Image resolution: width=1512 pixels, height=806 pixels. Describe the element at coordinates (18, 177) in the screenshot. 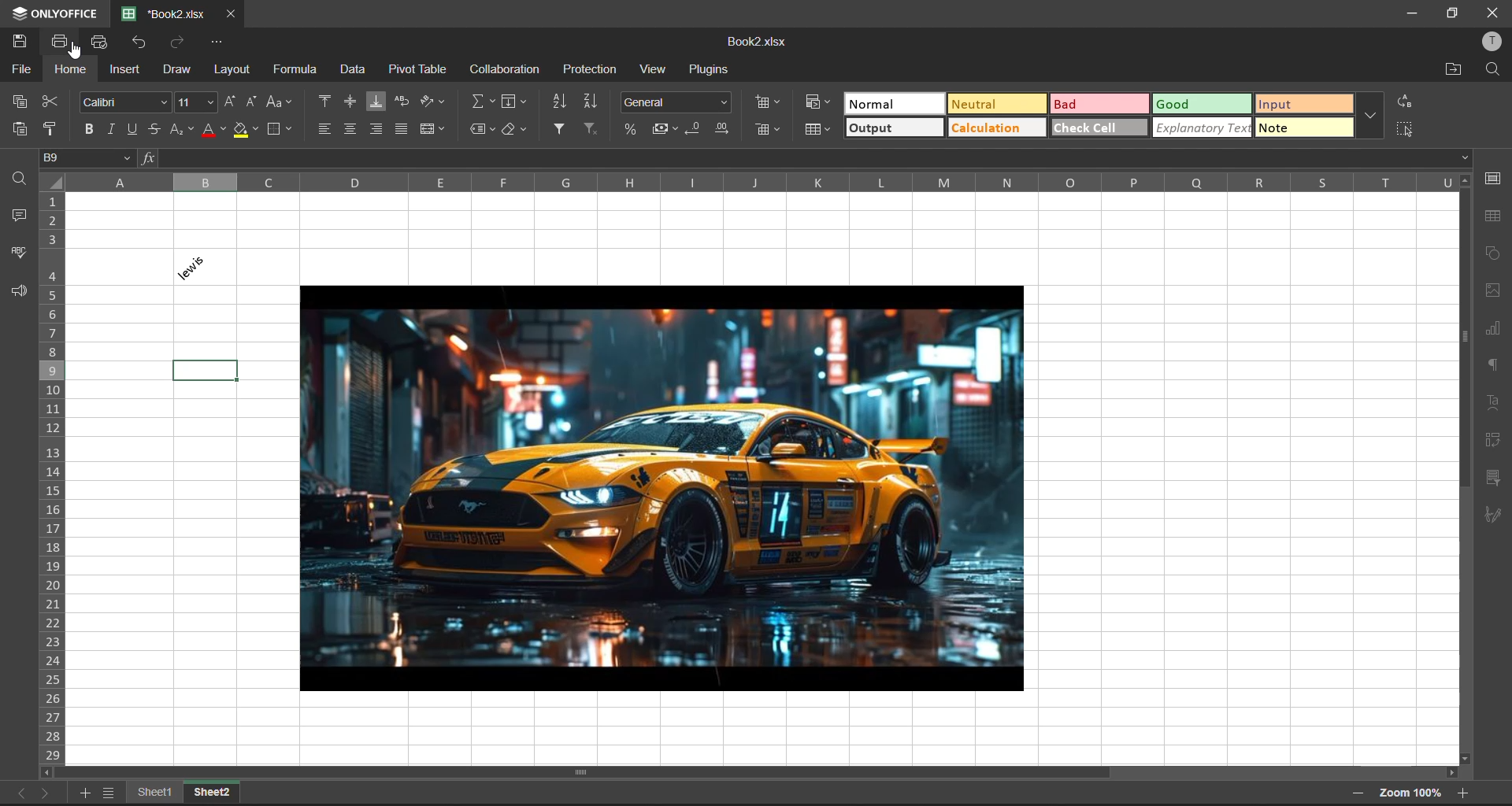

I see `find` at that location.